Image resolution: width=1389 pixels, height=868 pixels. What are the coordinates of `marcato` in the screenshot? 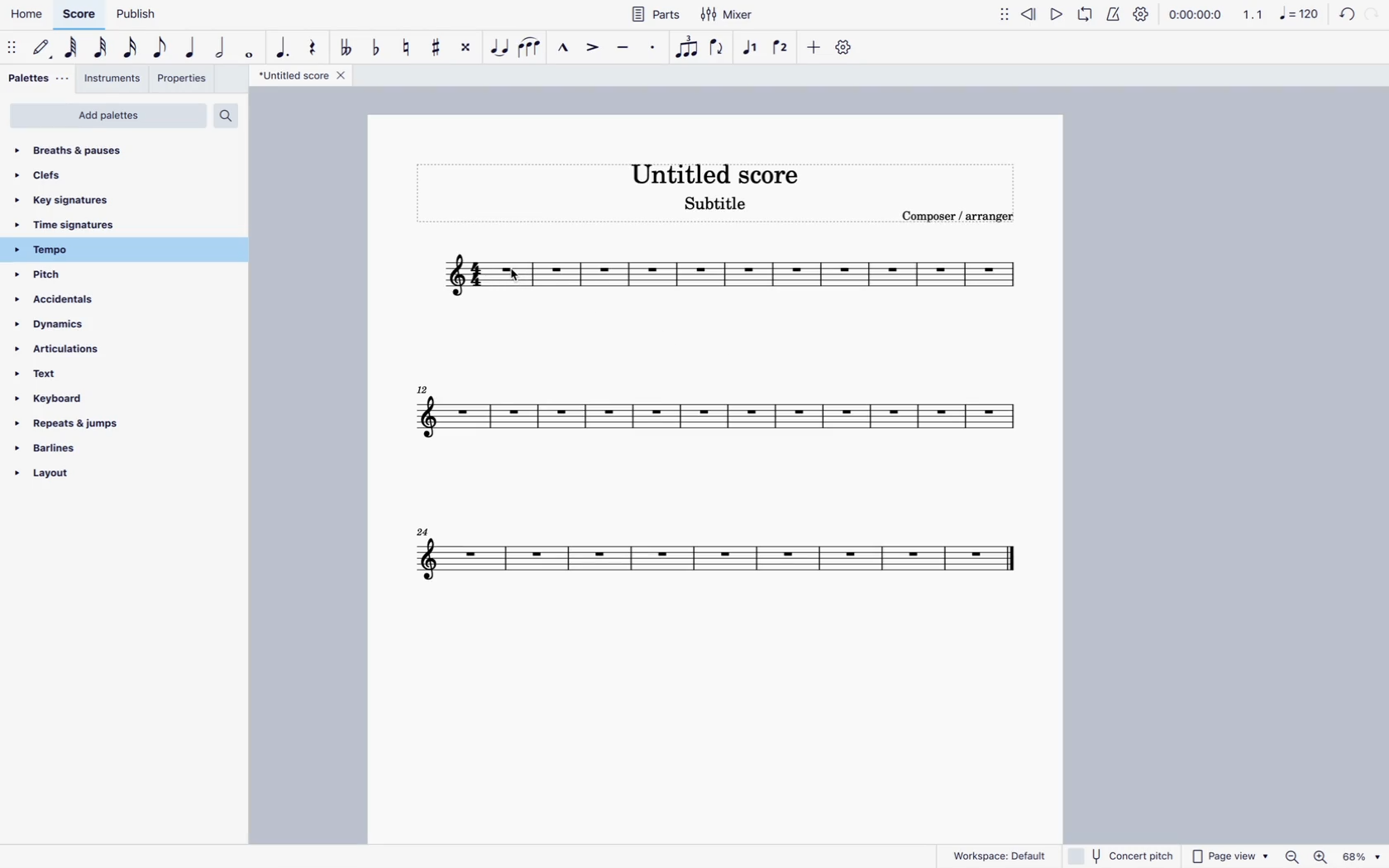 It's located at (562, 50).